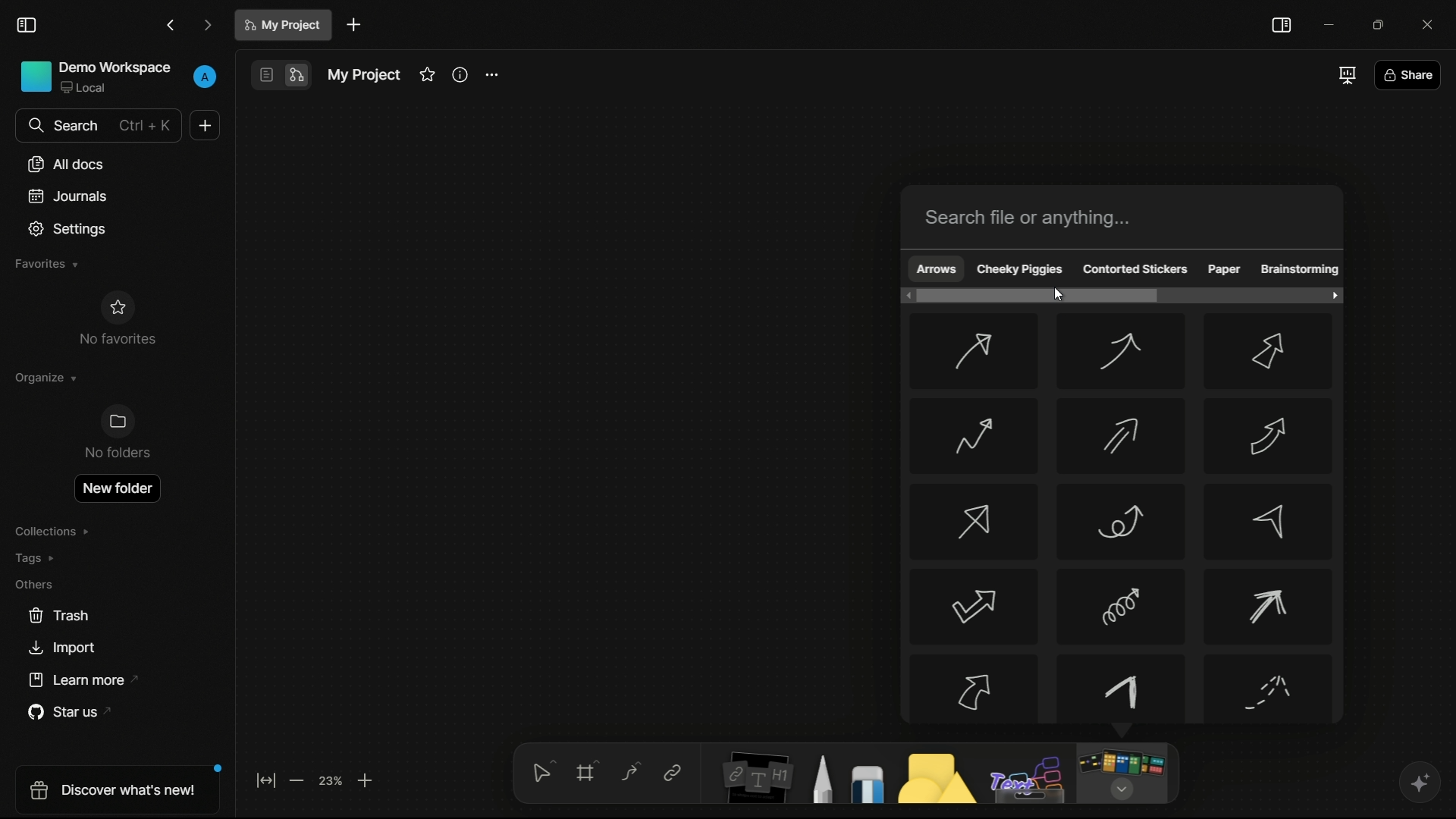 This screenshot has width=1456, height=819. Describe the element at coordinates (67, 164) in the screenshot. I see `all documents` at that location.